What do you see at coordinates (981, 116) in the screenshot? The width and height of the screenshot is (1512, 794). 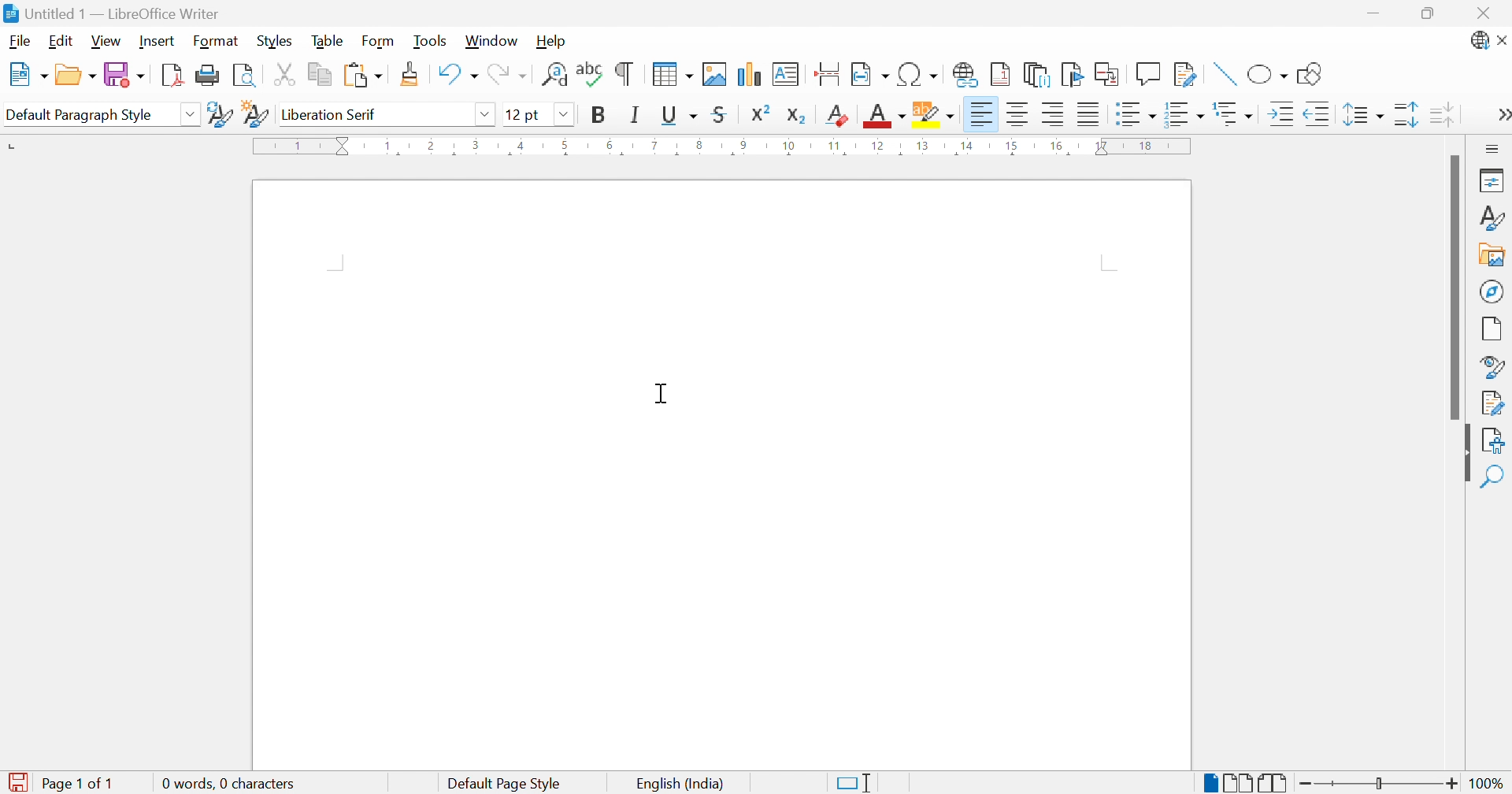 I see `Align left` at bounding box center [981, 116].